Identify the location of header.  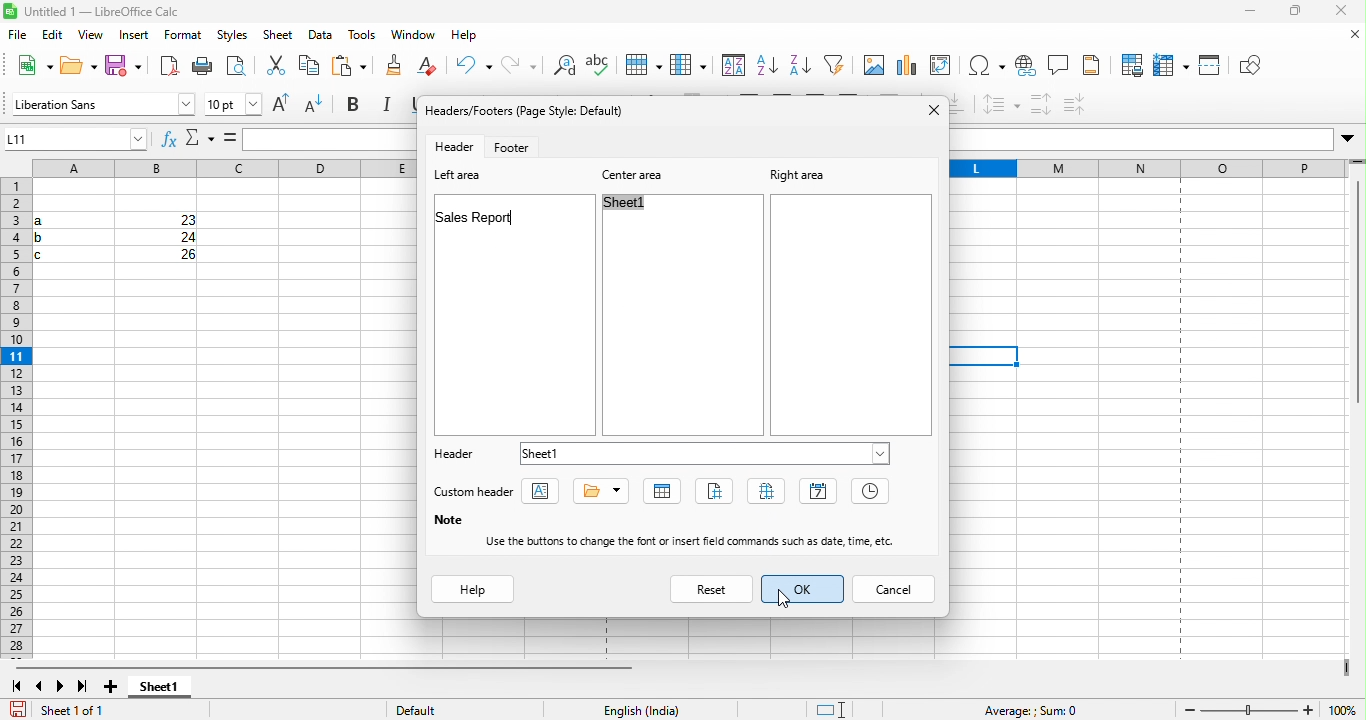
(459, 145).